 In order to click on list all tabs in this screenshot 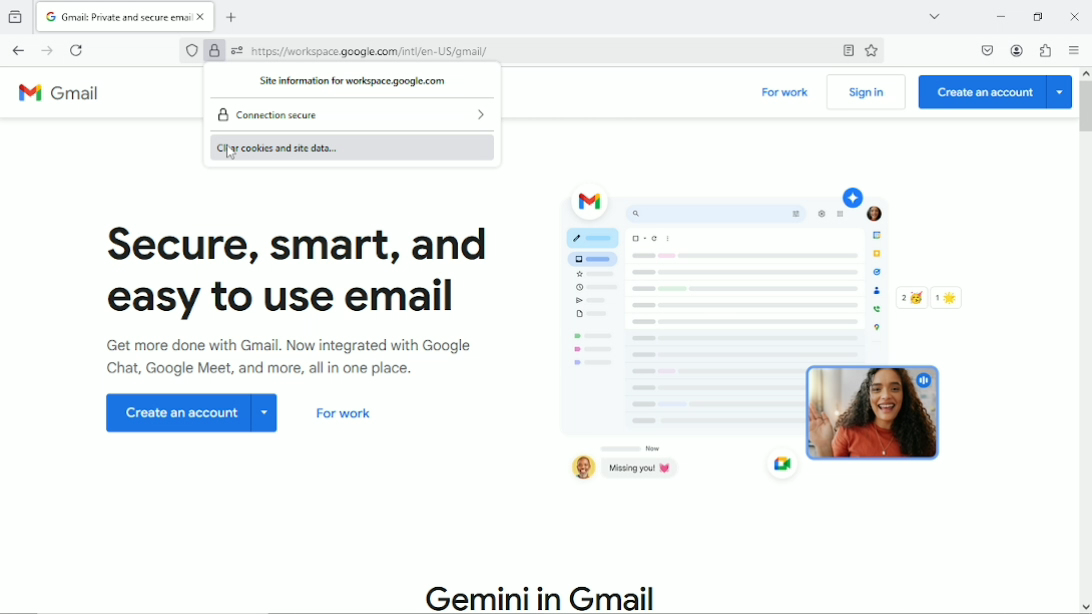, I will do `click(931, 15)`.